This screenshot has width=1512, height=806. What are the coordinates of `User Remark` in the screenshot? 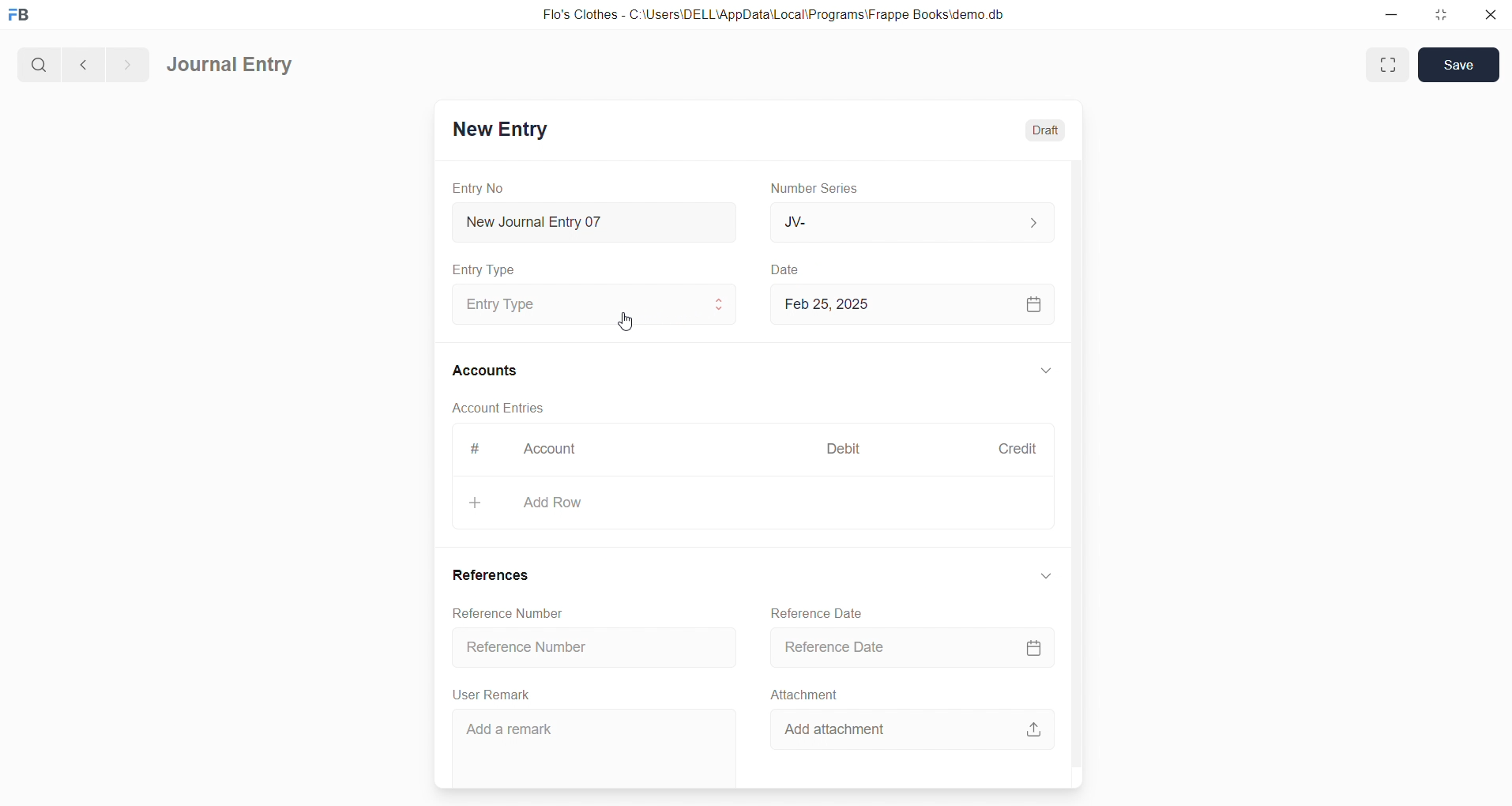 It's located at (495, 695).